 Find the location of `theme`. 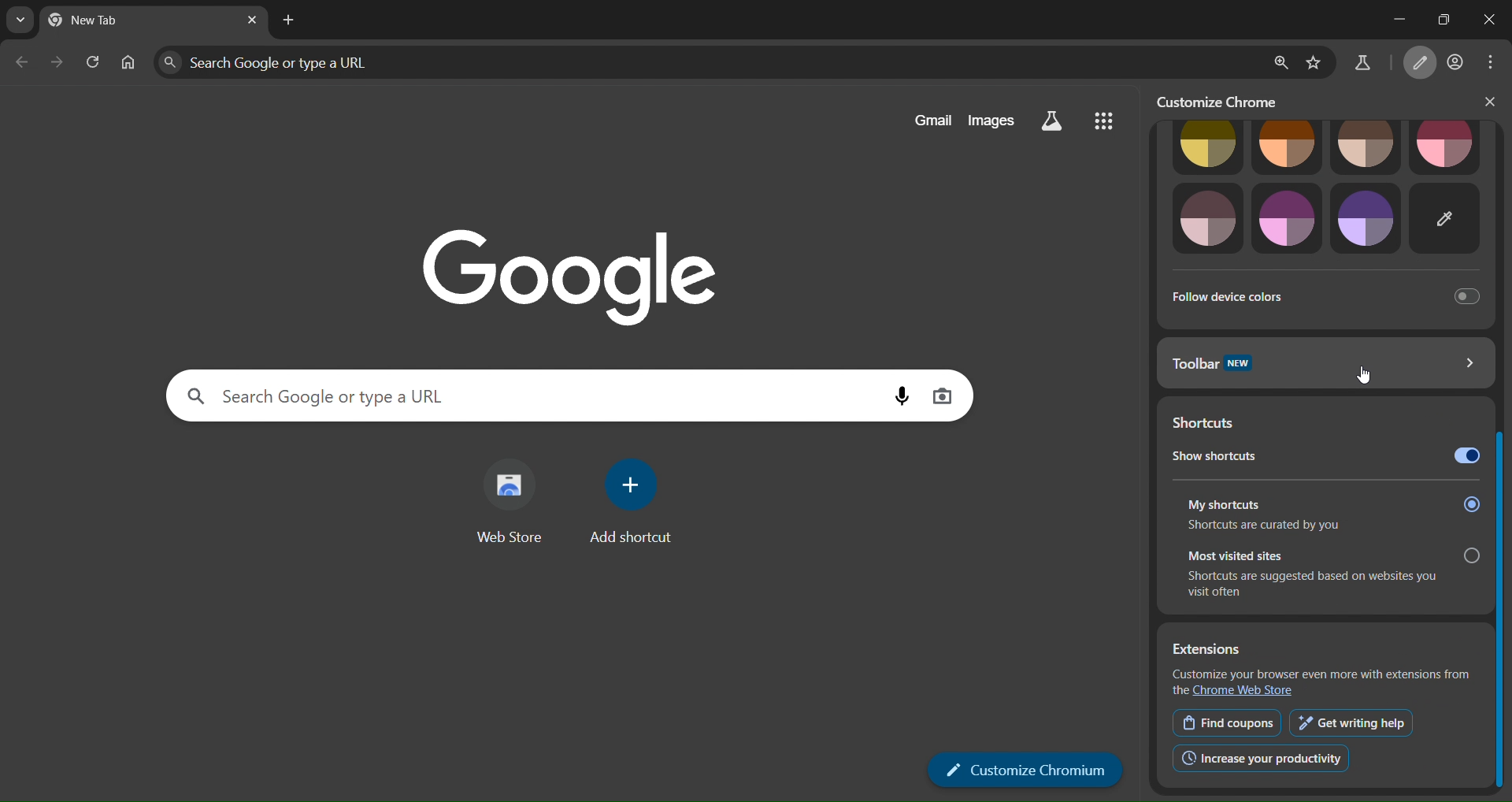

theme is located at coordinates (1210, 220).